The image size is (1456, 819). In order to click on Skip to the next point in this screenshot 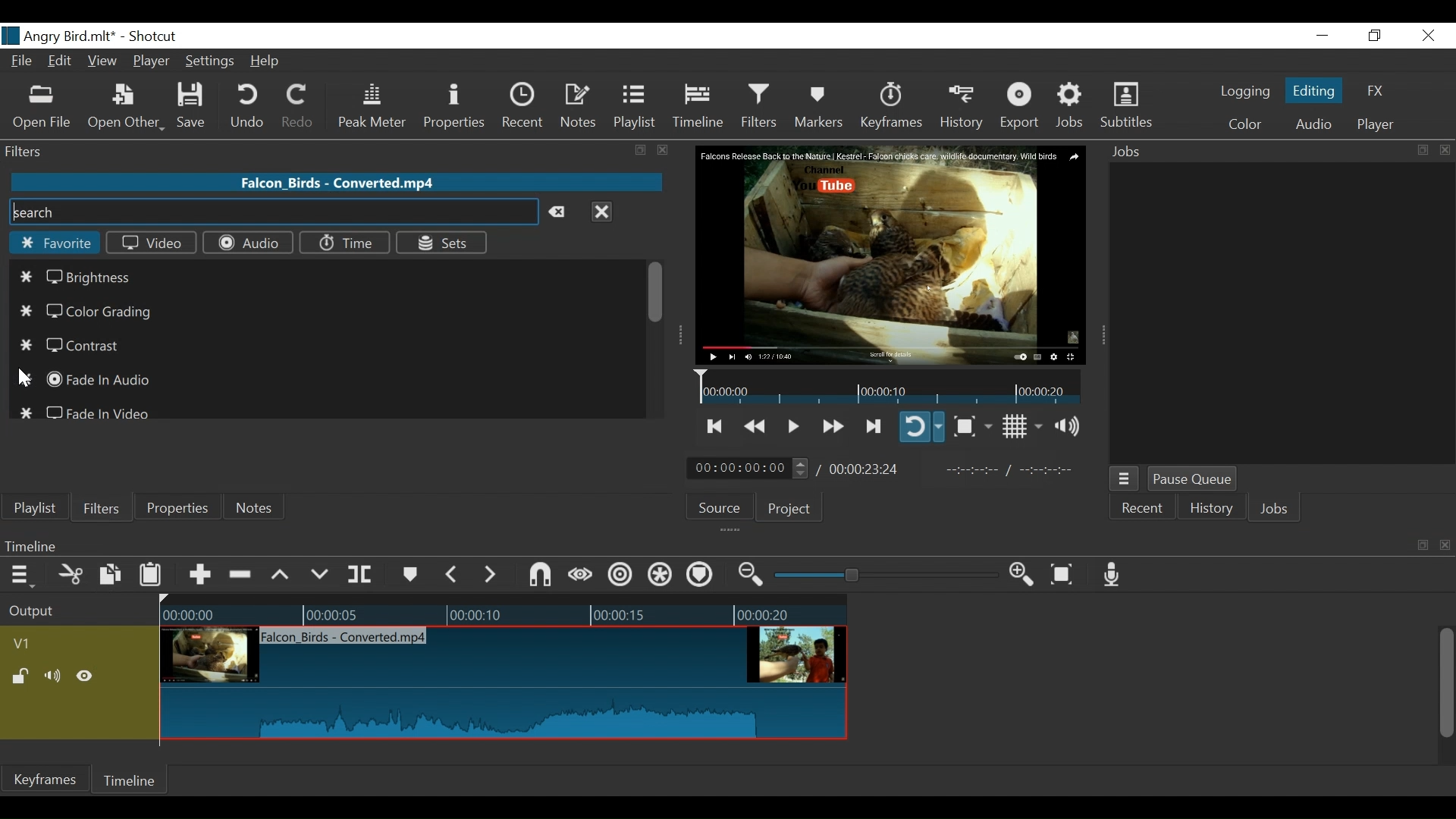, I will do `click(874, 427)`.